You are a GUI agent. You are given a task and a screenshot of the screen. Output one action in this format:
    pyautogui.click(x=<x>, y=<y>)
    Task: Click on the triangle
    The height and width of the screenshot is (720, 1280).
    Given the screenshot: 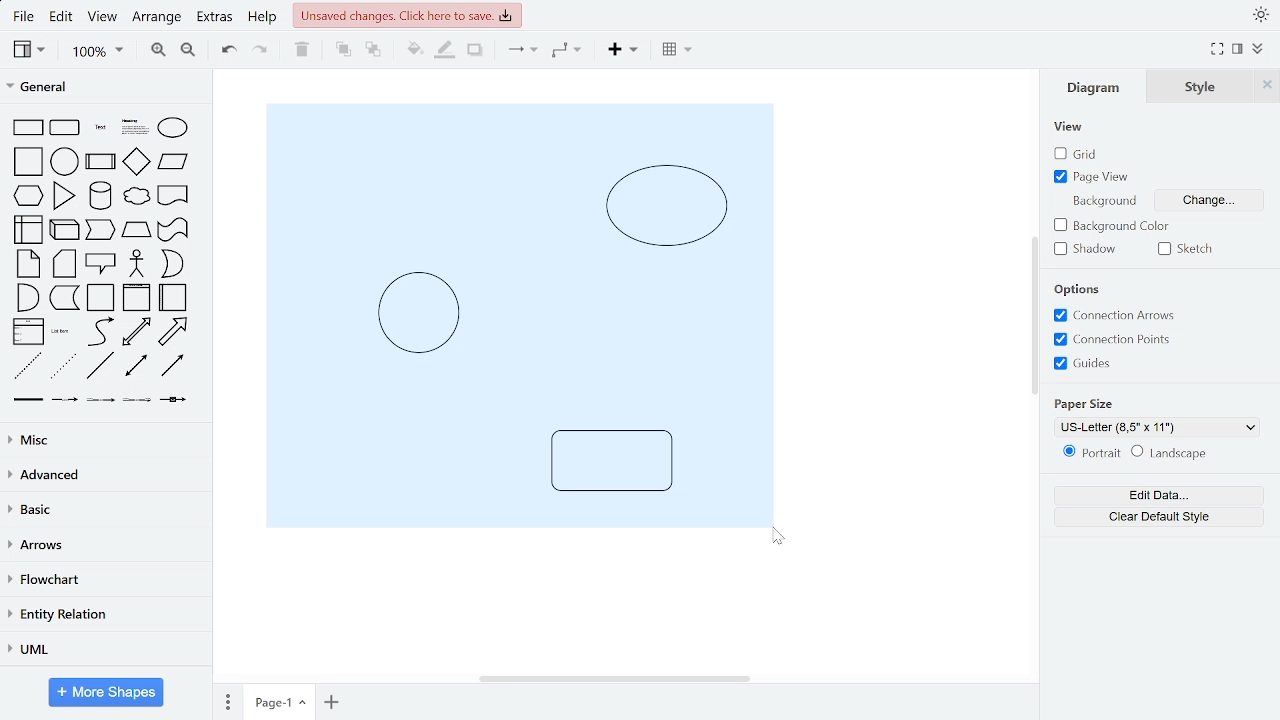 What is the action you would take?
    pyautogui.click(x=64, y=196)
    